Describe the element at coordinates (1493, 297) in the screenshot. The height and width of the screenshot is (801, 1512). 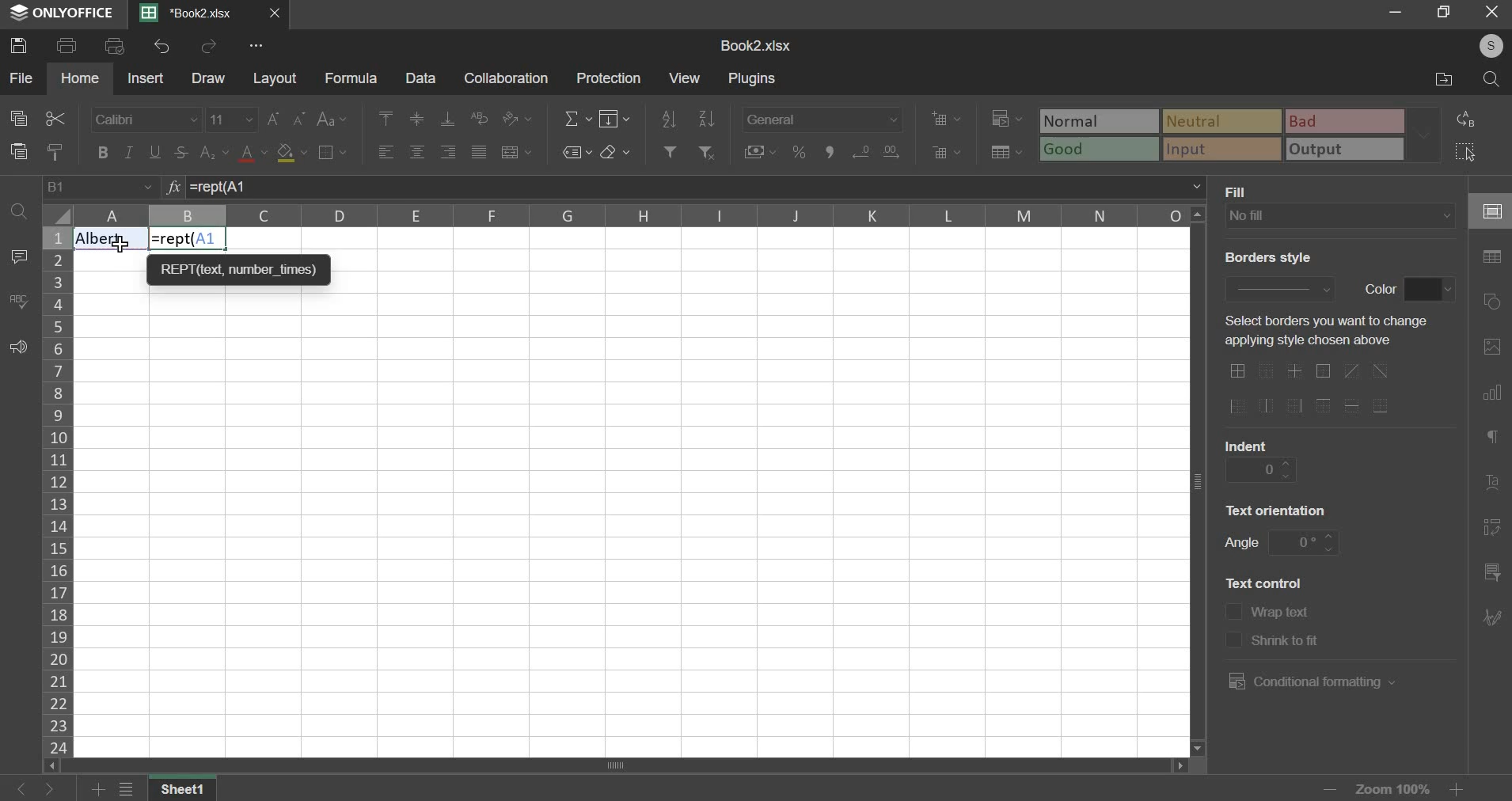
I see `shape settings` at that location.